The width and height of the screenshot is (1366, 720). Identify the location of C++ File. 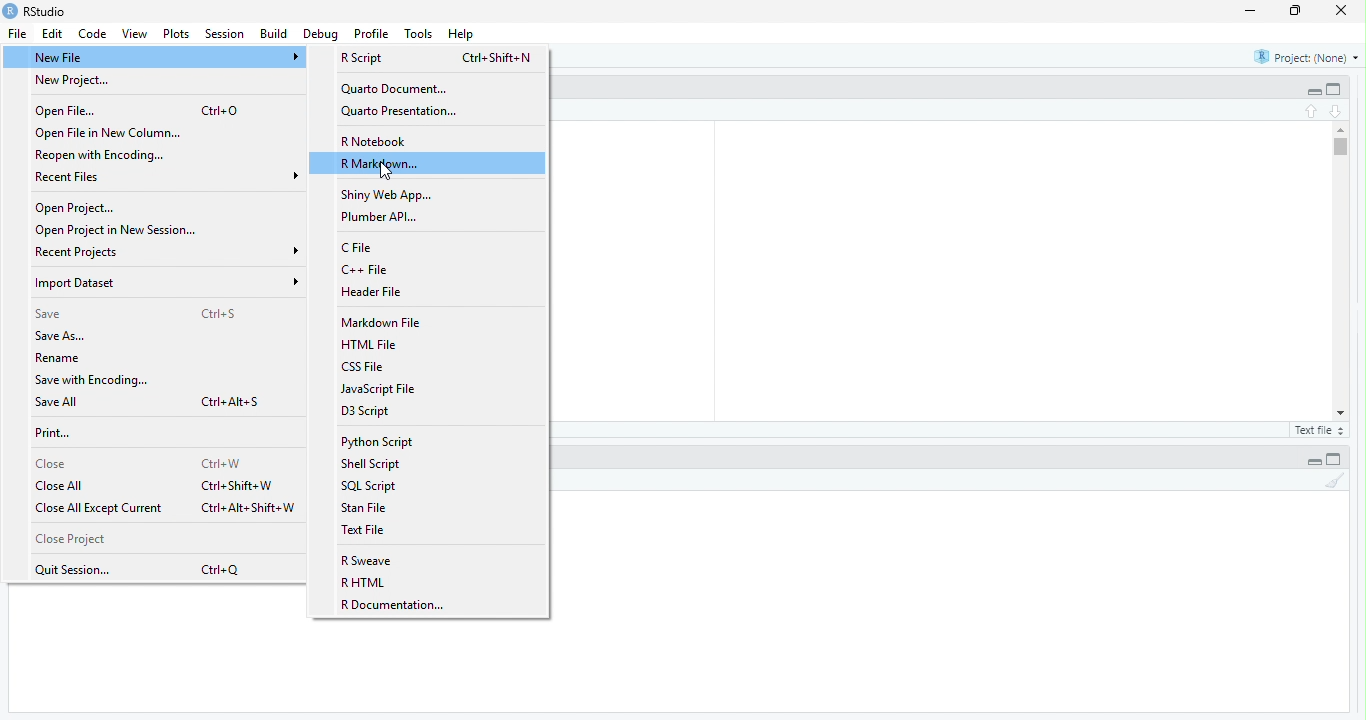
(368, 268).